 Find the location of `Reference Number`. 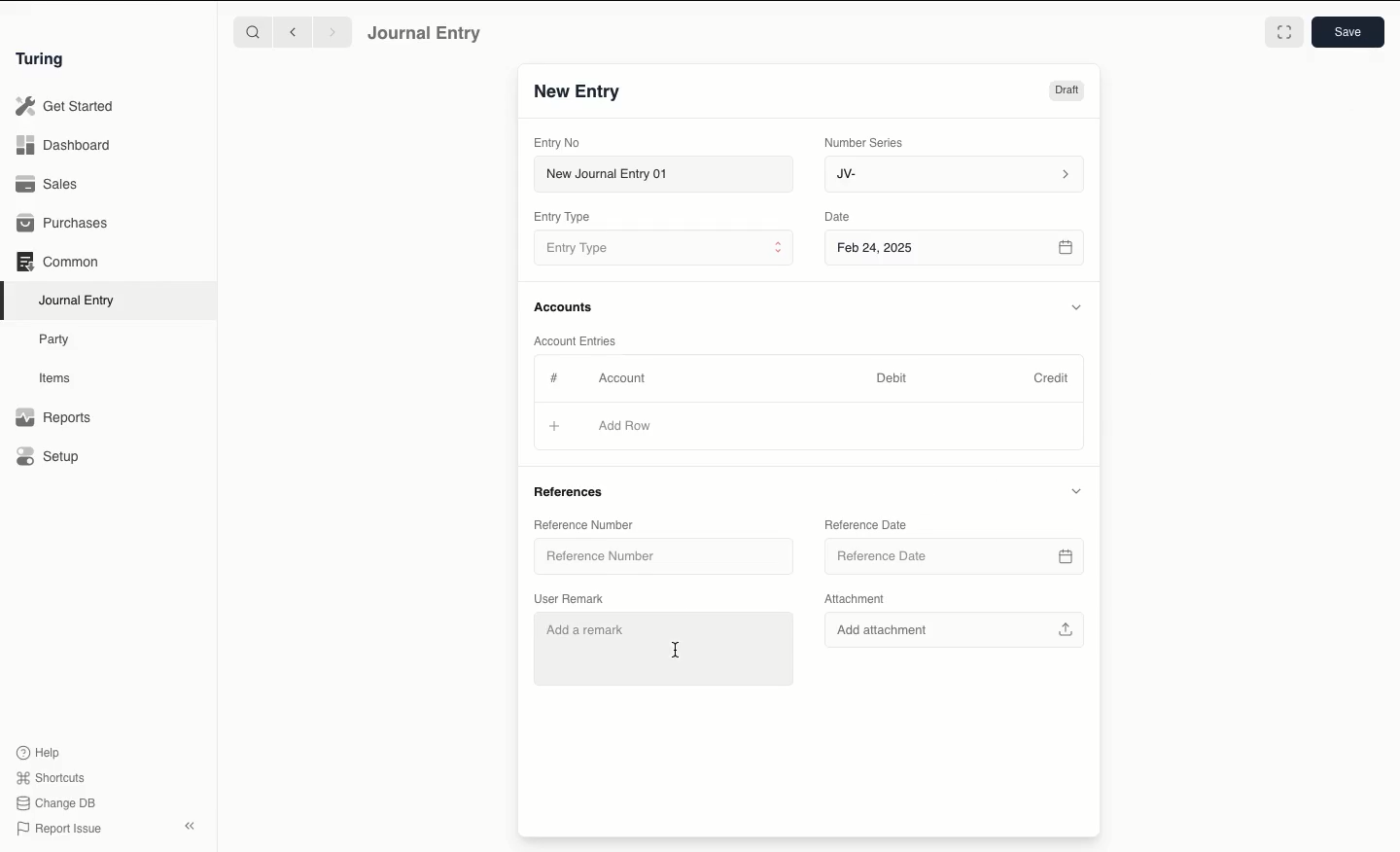

Reference Number is located at coordinates (582, 524).